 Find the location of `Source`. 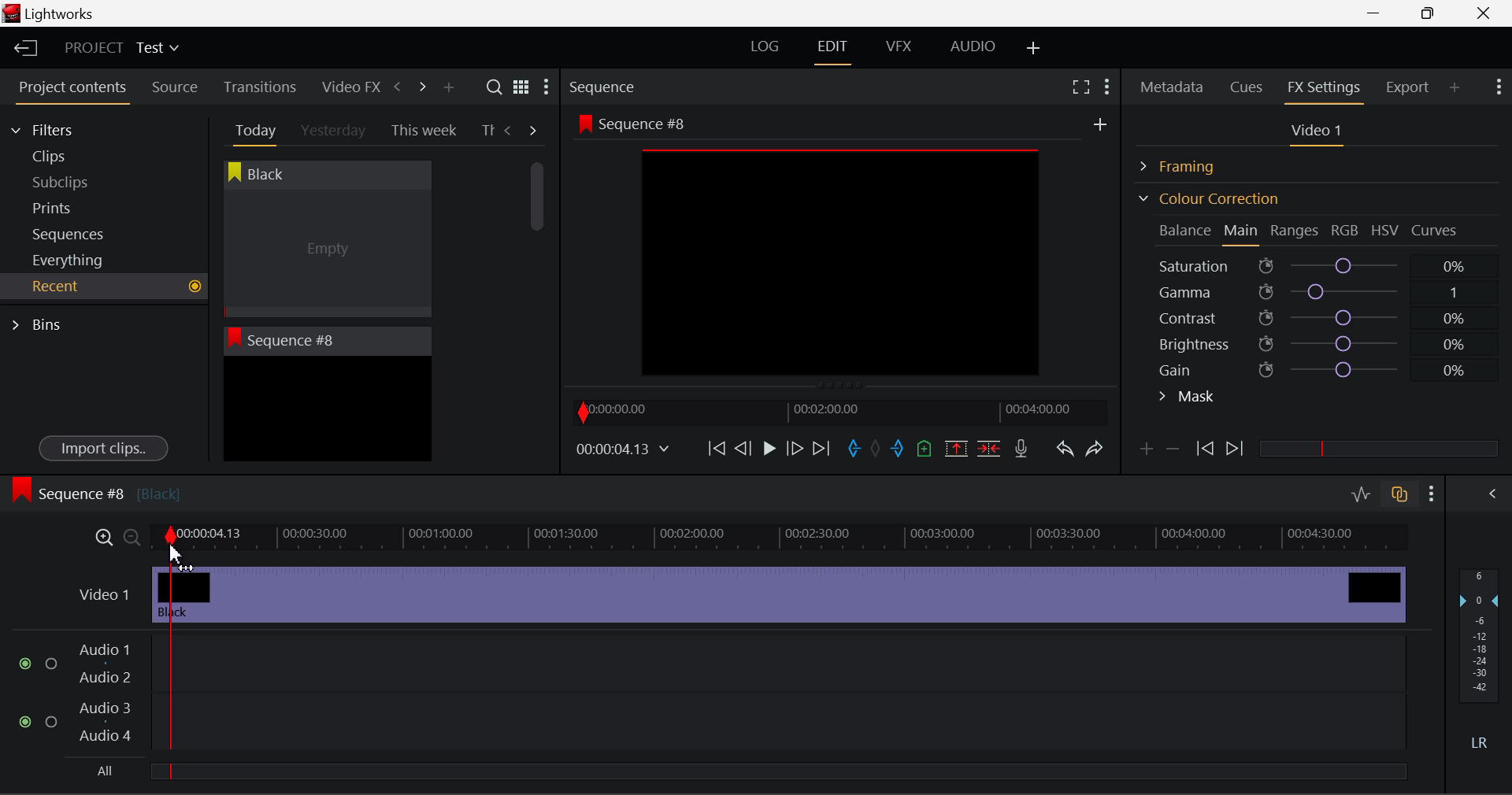

Source is located at coordinates (175, 87).